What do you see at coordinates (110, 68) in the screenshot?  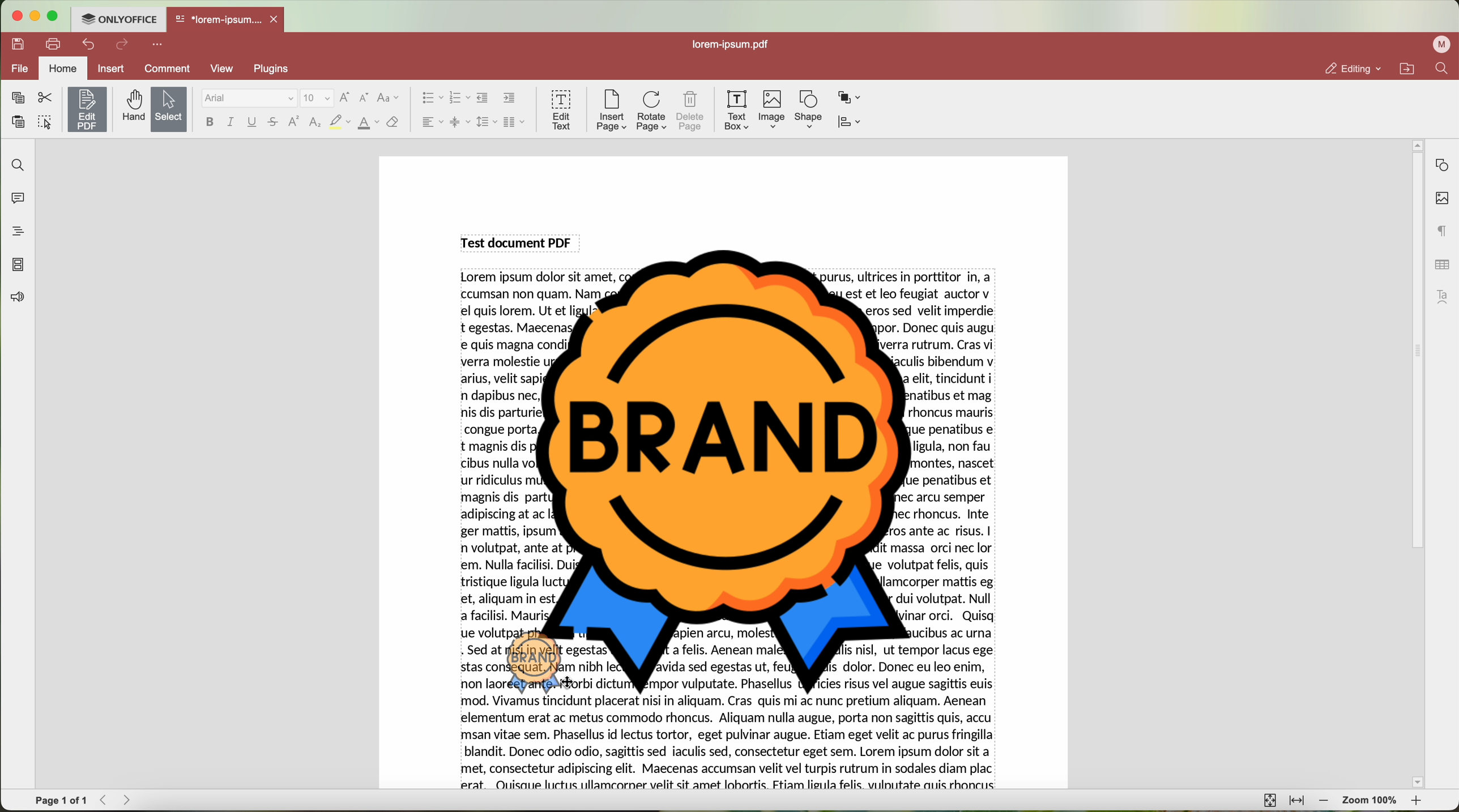 I see `insert` at bounding box center [110, 68].